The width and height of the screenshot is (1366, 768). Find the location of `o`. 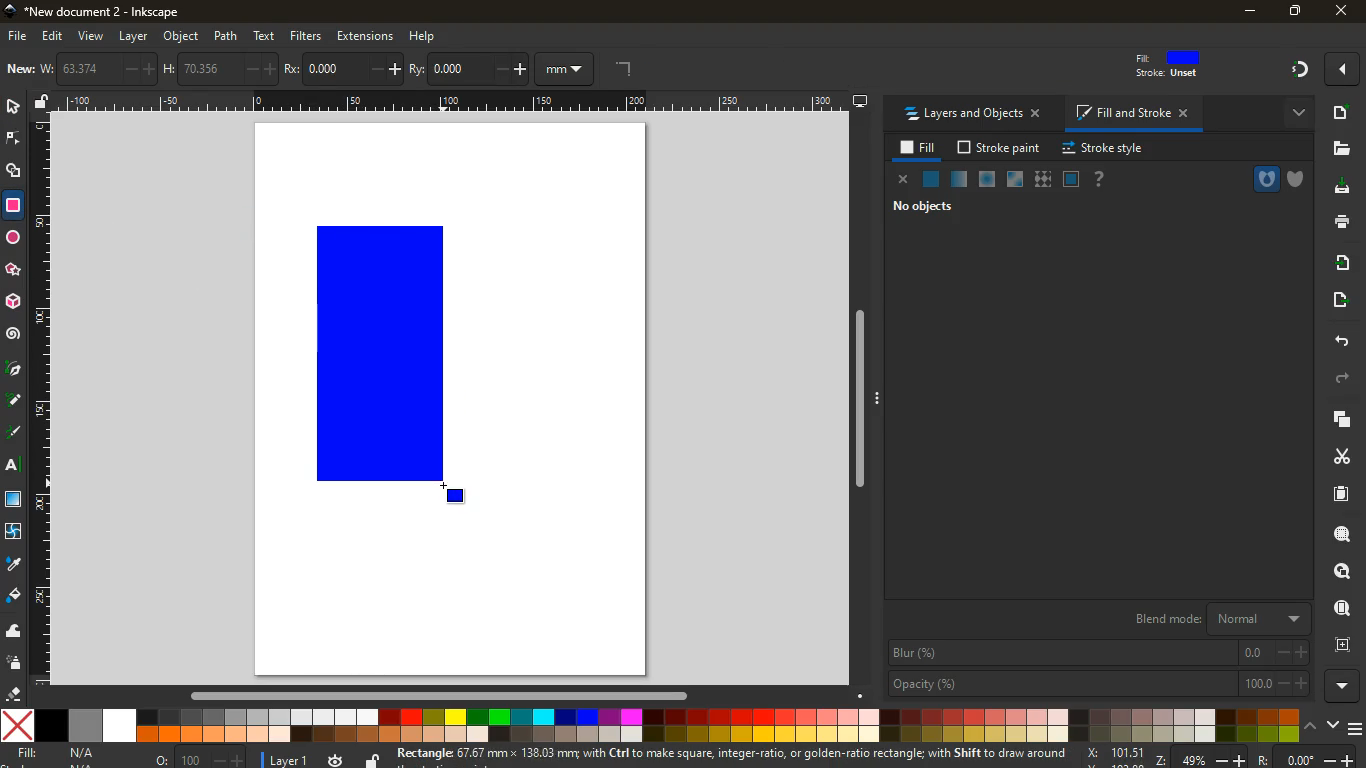

o is located at coordinates (201, 758).